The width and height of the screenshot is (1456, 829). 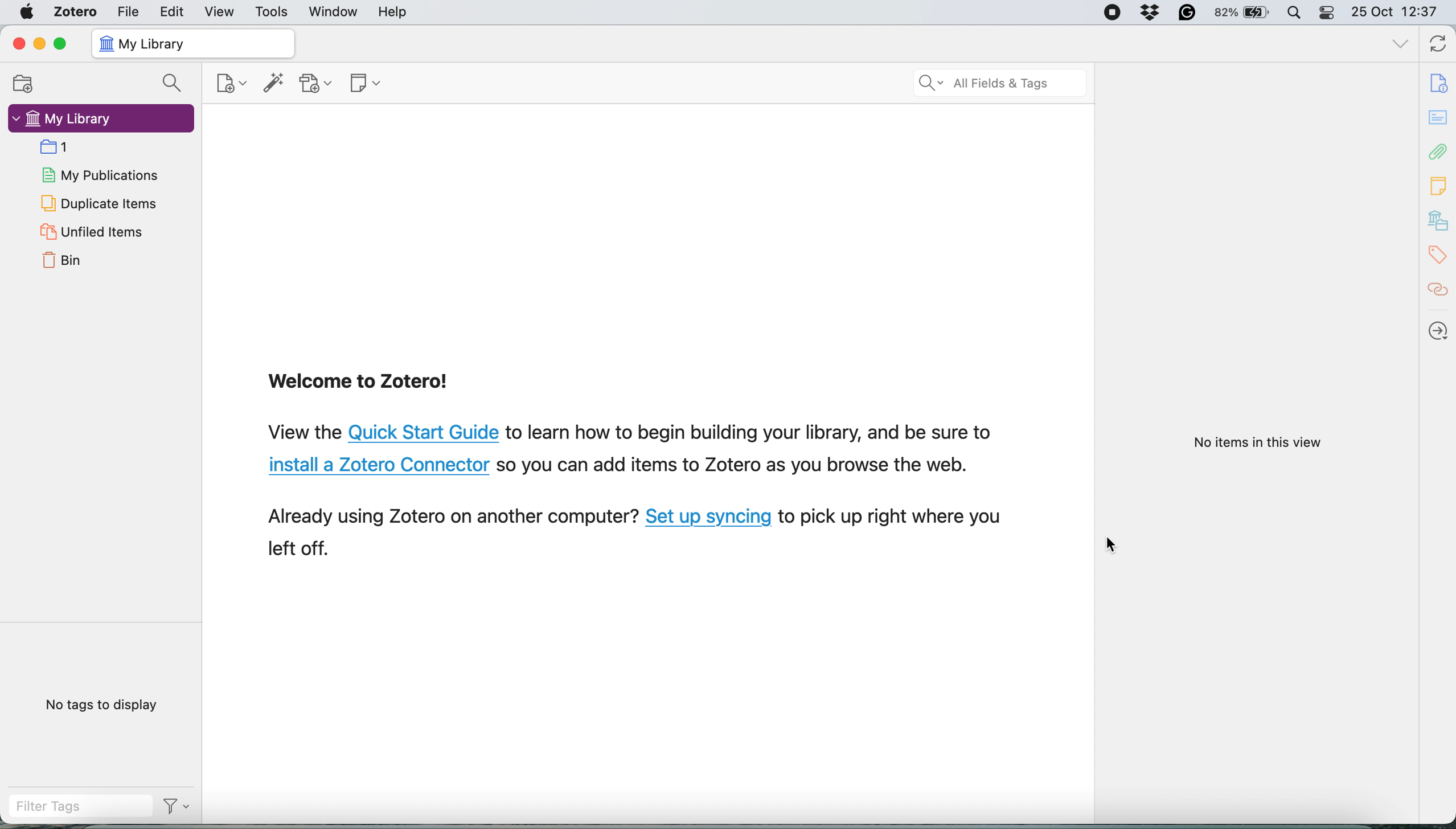 I want to click on window, so click(x=336, y=12).